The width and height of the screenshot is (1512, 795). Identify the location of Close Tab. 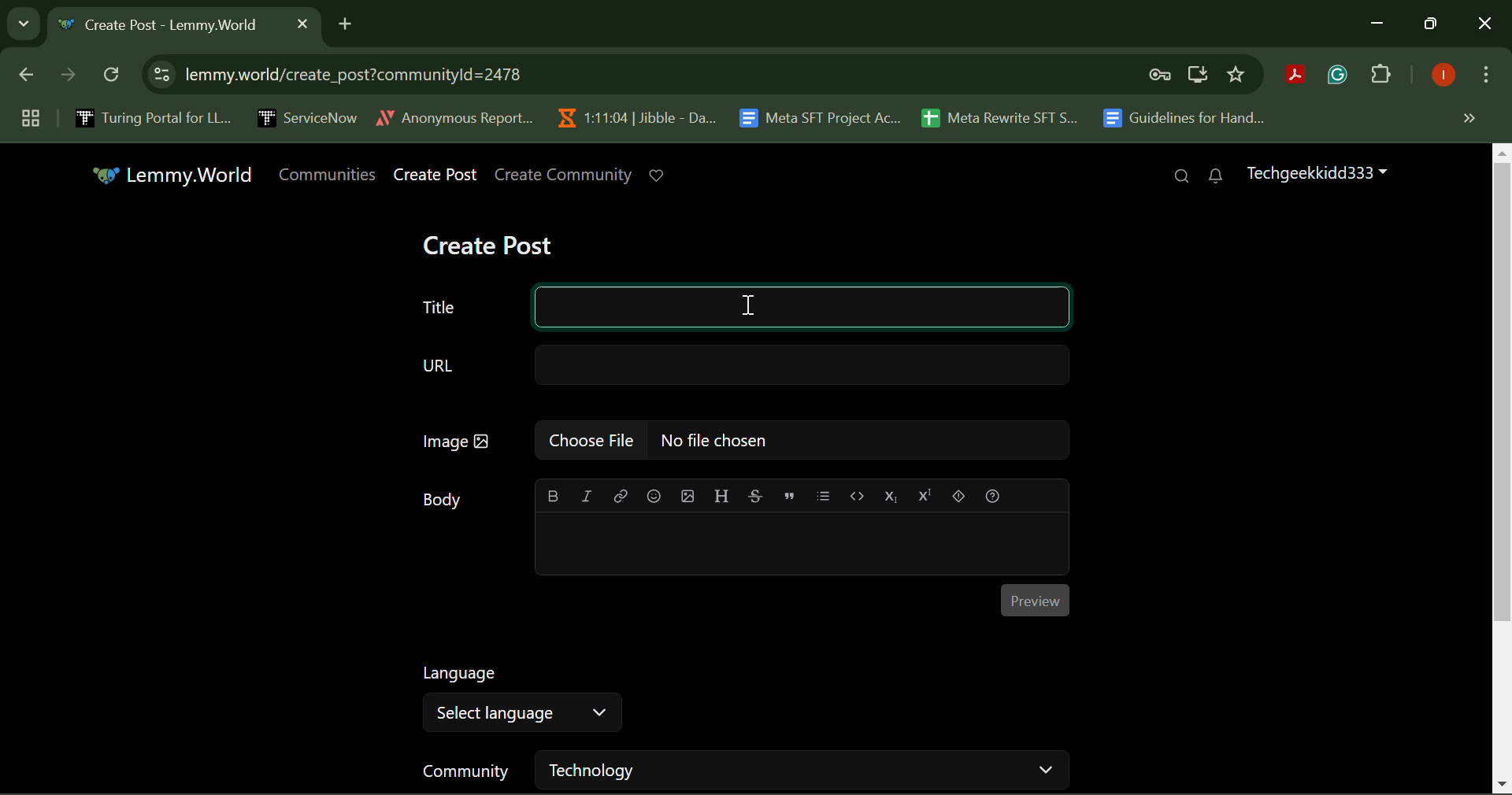
(302, 23).